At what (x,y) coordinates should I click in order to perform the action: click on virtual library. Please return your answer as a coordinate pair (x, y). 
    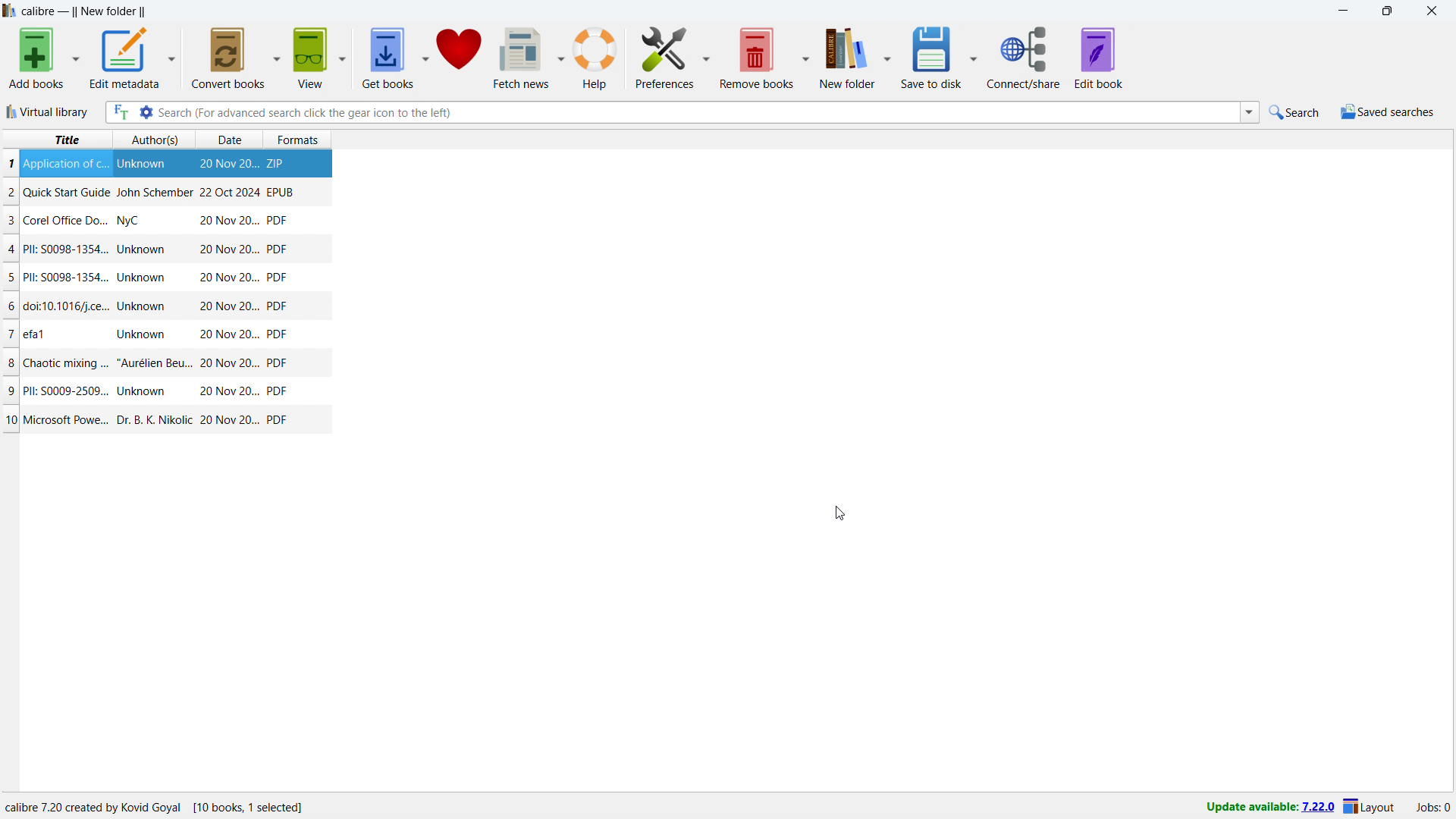
    Looking at the image, I should click on (49, 111).